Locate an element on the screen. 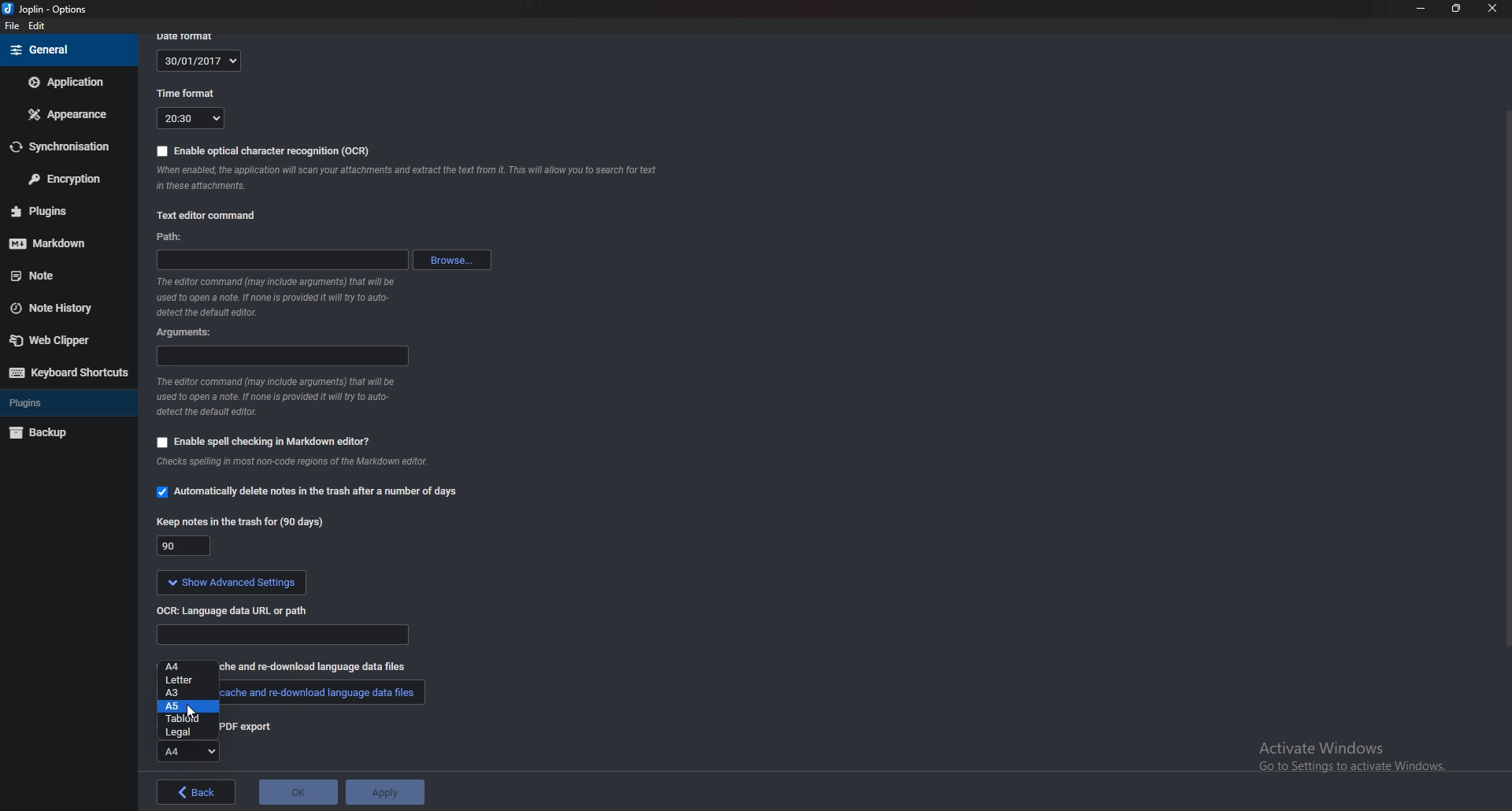  tabloid is located at coordinates (187, 717).